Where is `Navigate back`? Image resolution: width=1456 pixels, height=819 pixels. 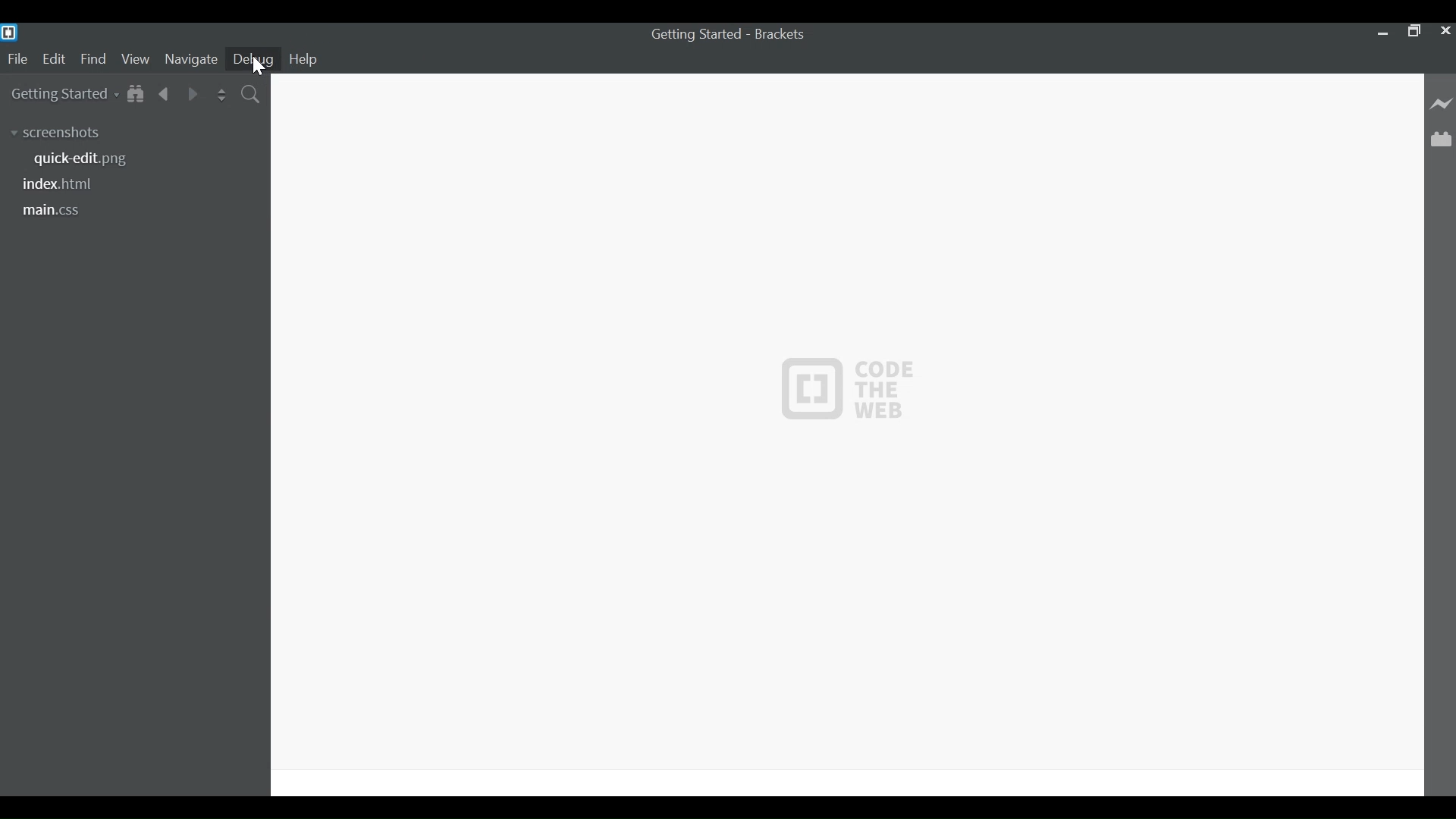 Navigate back is located at coordinates (165, 93).